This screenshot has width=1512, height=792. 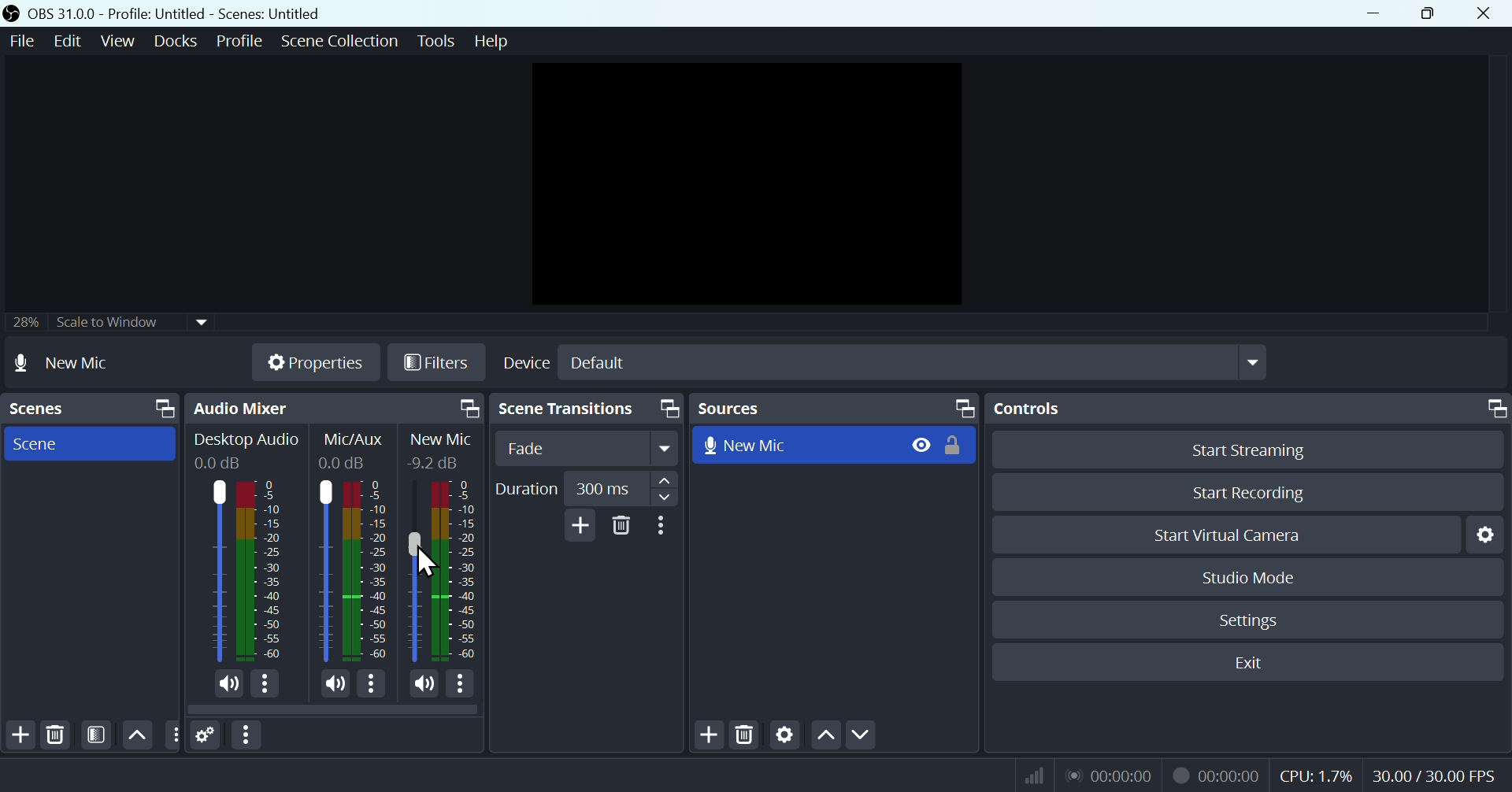 I want to click on View, so click(x=120, y=41).